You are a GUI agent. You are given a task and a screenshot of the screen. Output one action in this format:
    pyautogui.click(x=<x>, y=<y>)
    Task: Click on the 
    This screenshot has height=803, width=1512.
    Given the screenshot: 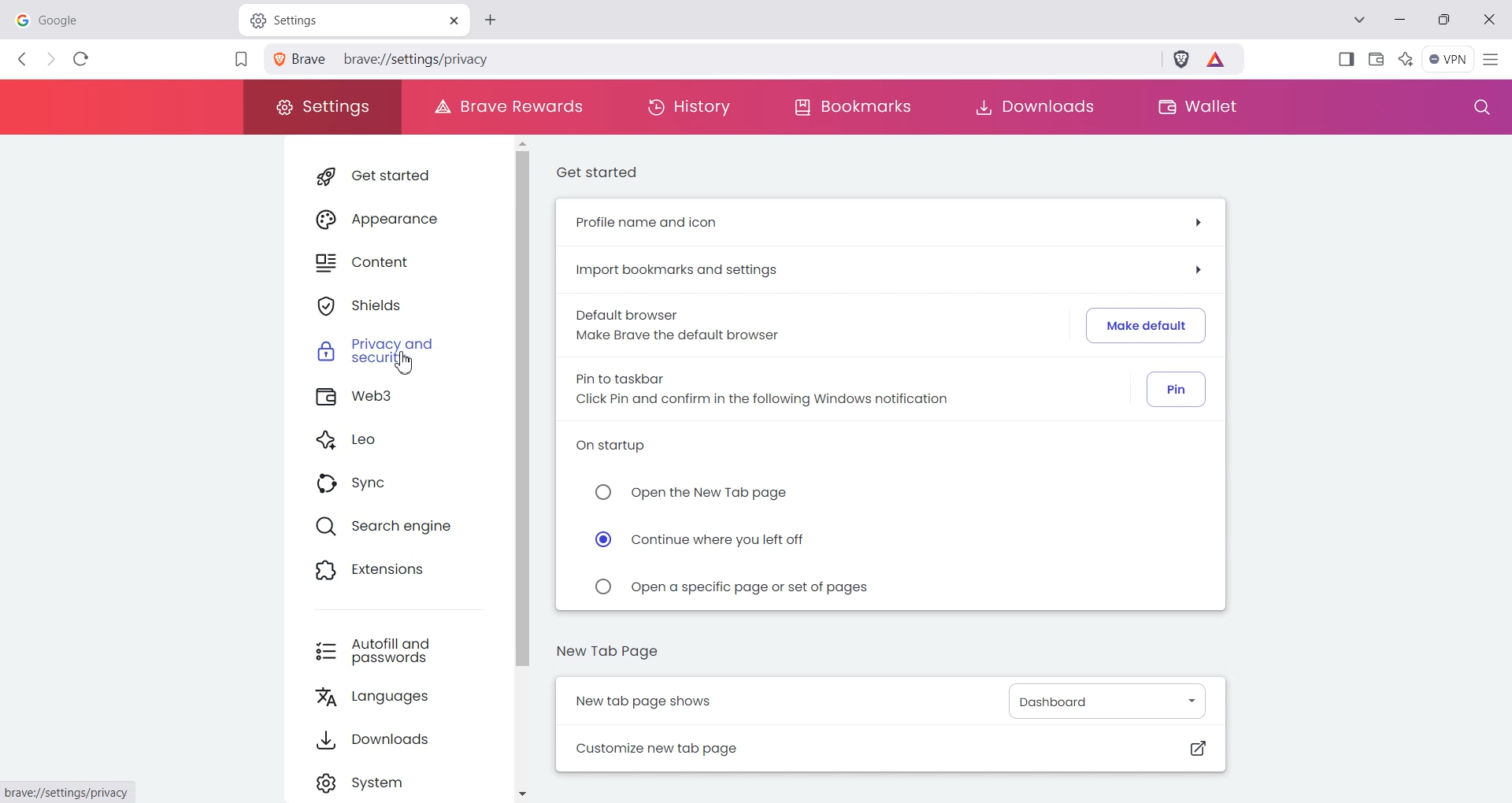 What is the action you would take?
    pyautogui.click(x=1448, y=59)
    